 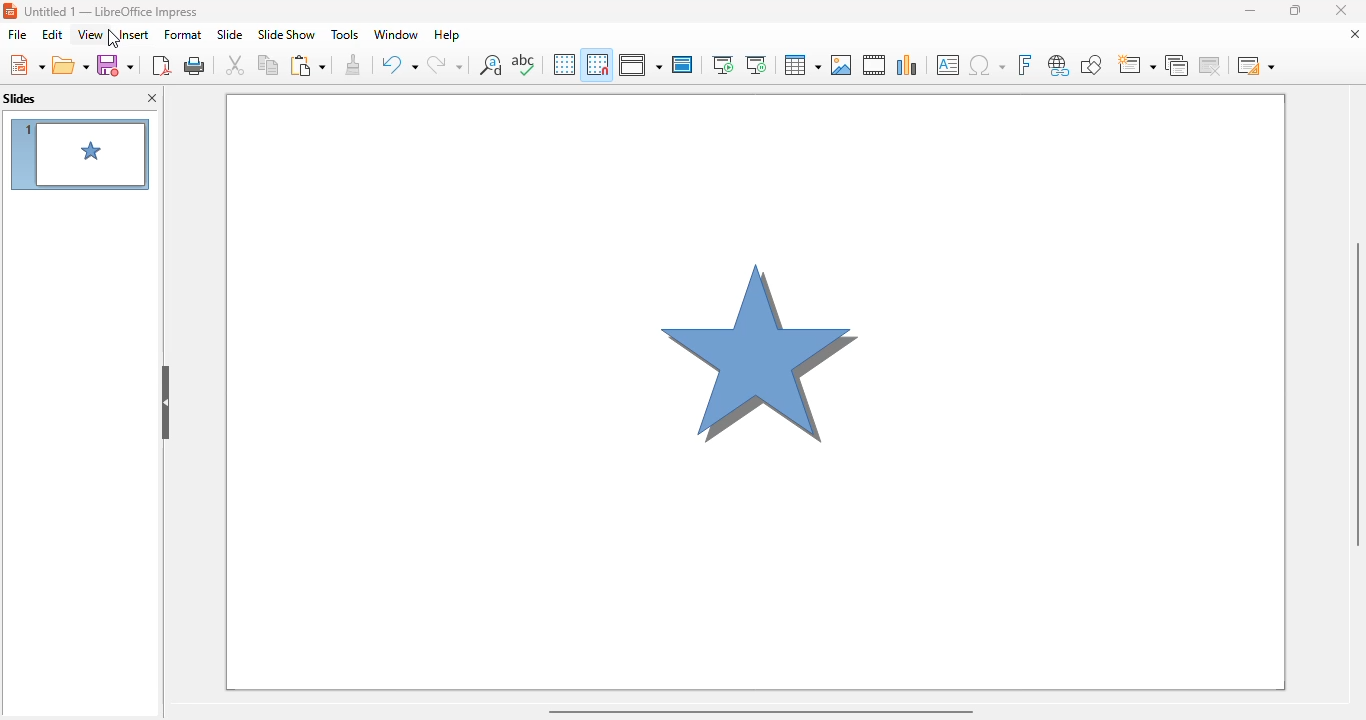 I want to click on hide, so click(x=165, y=403).